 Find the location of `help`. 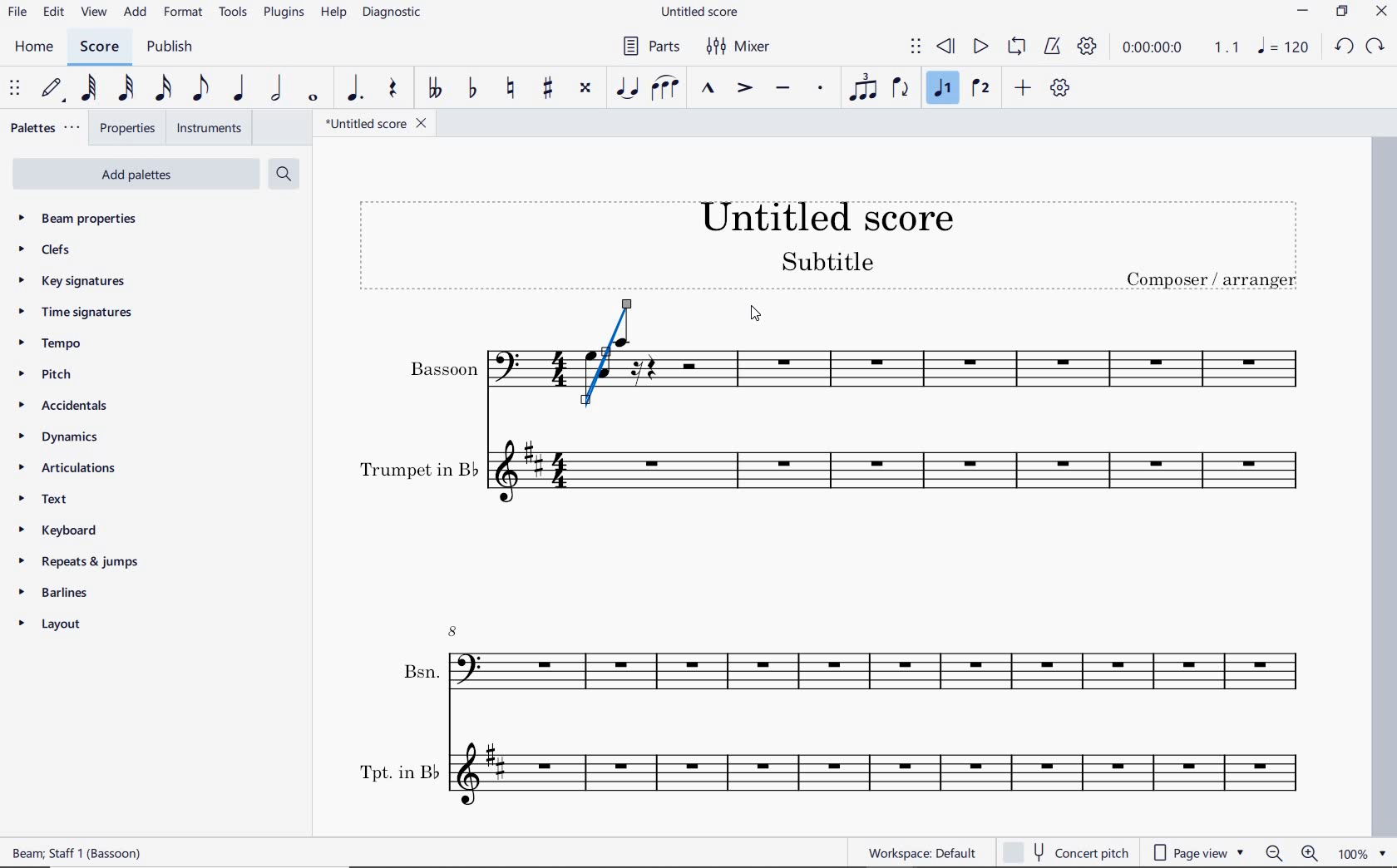

help is located at coordinates (333, 12).